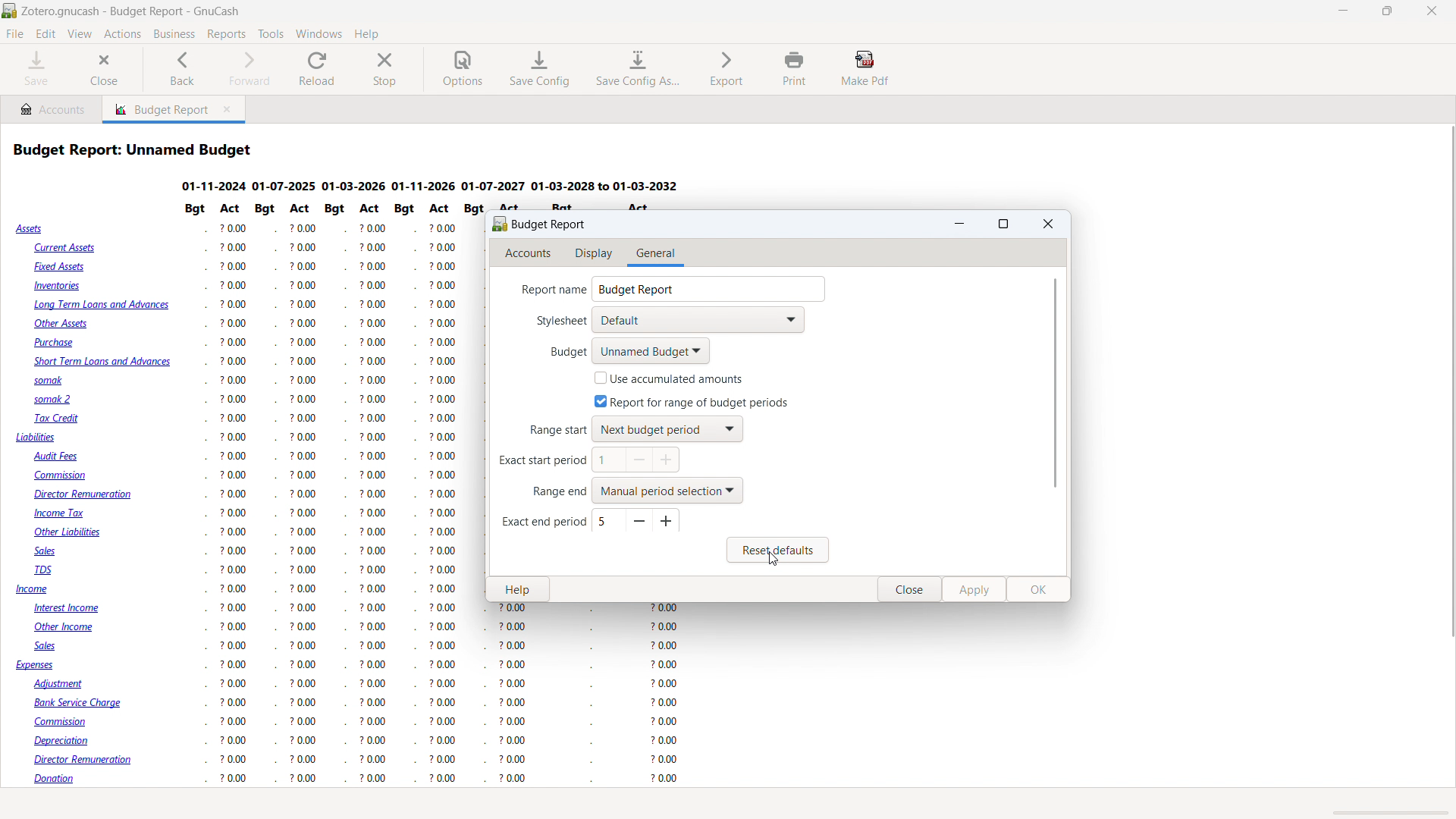 Image resolution: width=1456 pixels, height=819 pixels. Describe the element at coordinates (609, 460) in the screenshot. I see `exact start period` at that location.